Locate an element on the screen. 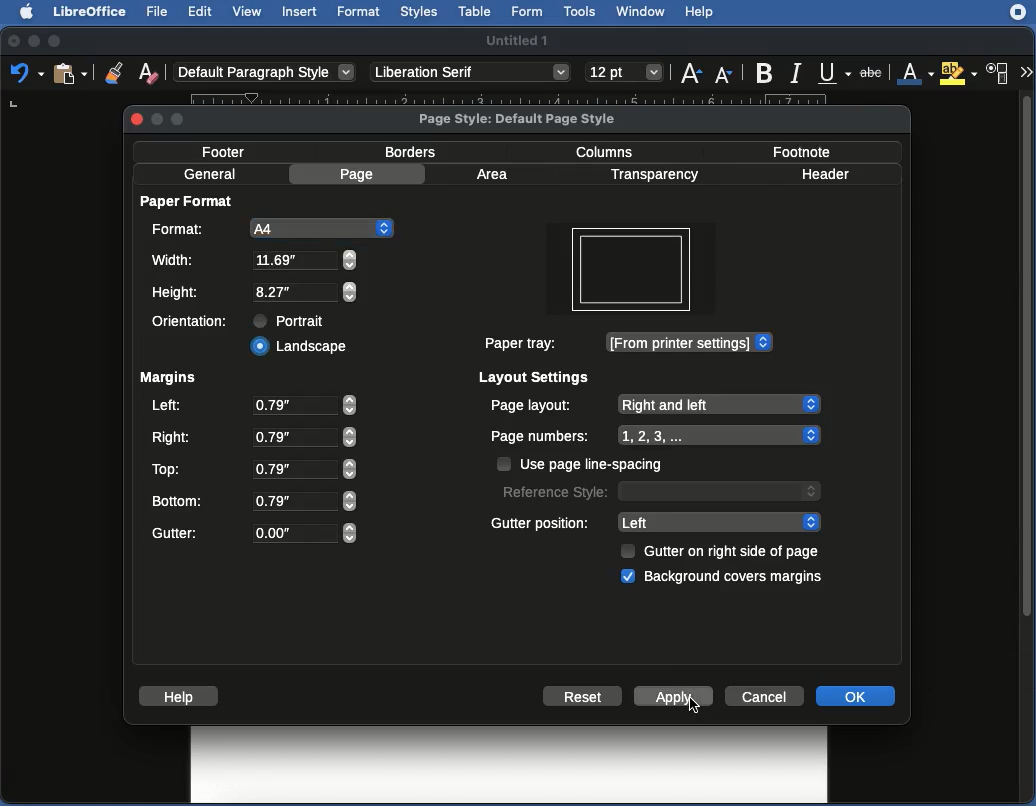  Left is located at coordinates (168, 407).